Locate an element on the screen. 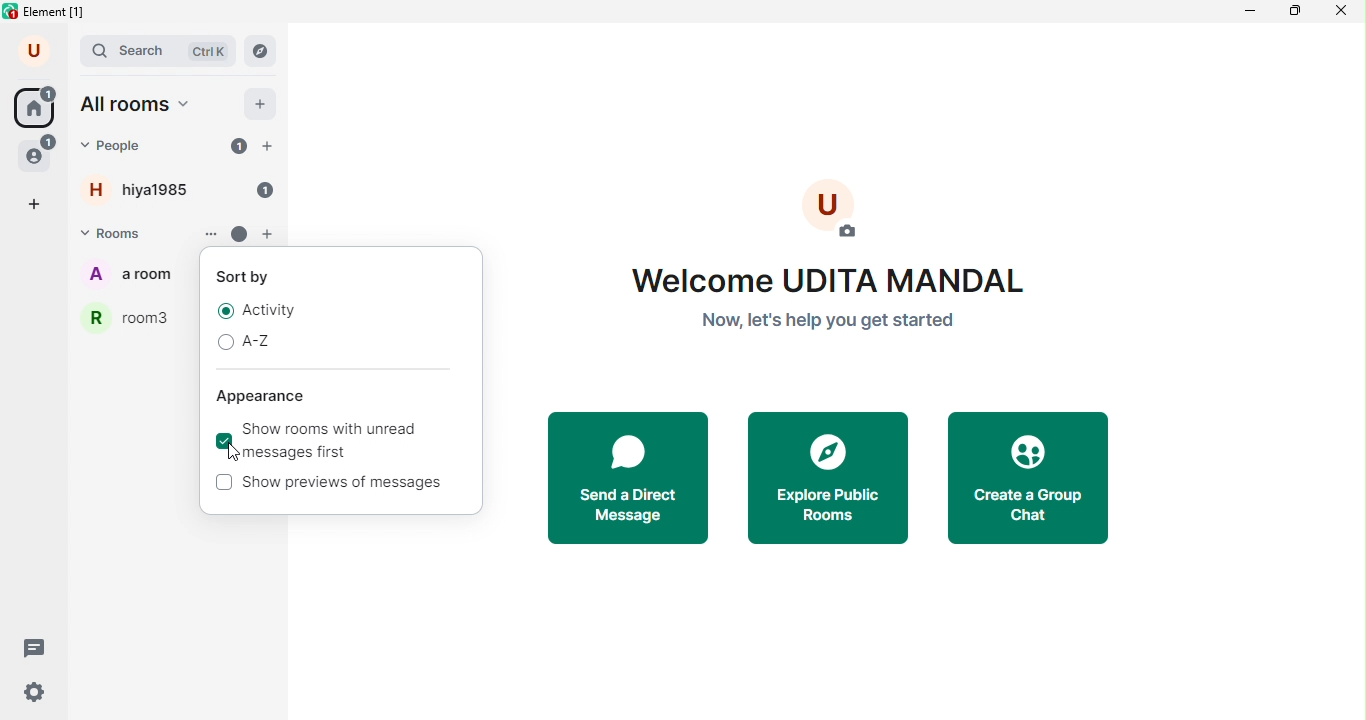  unread 1 message is located at coordinates (268, 192).